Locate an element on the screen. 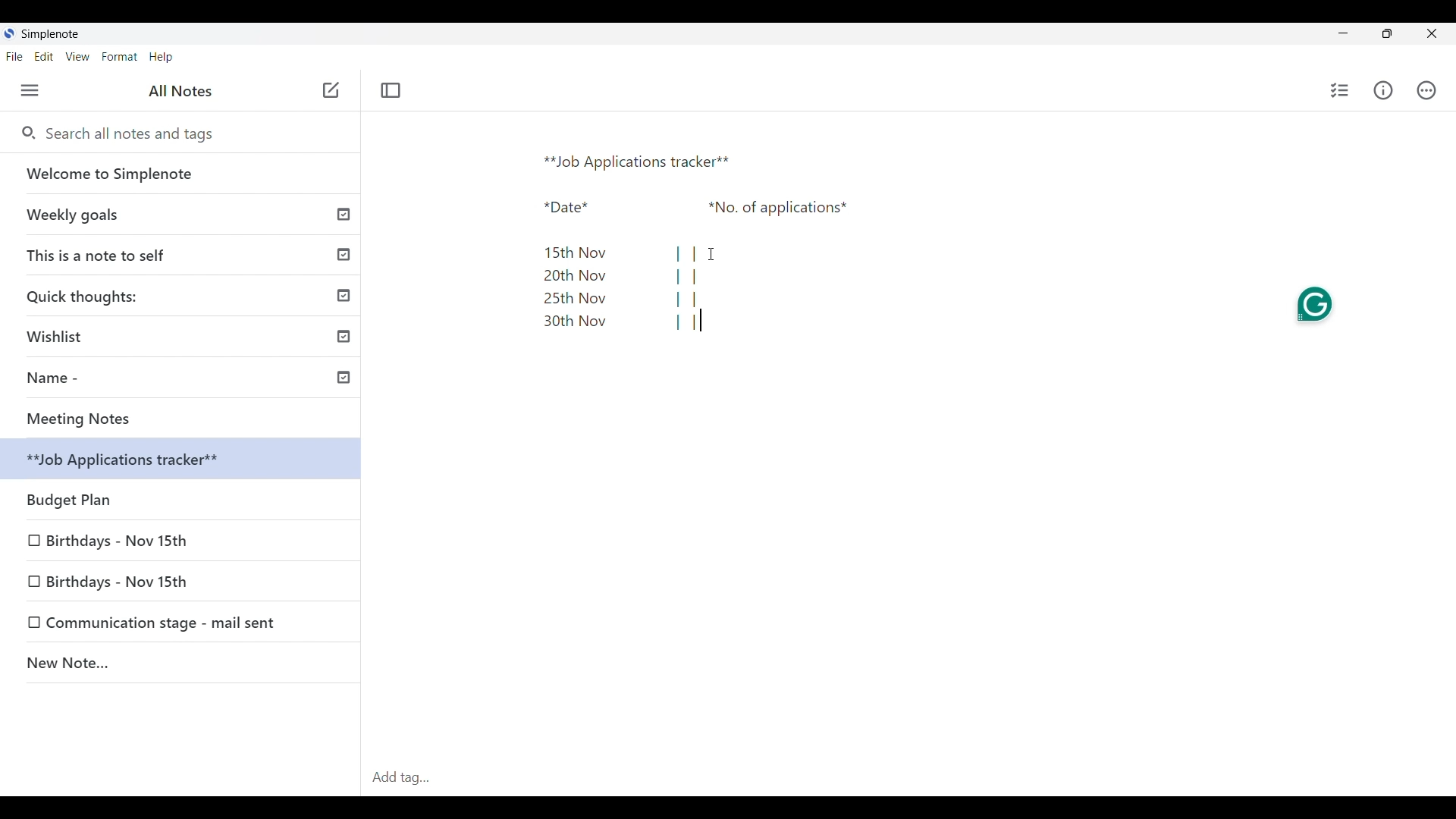  Actions is located at coordinates (1426, 90).